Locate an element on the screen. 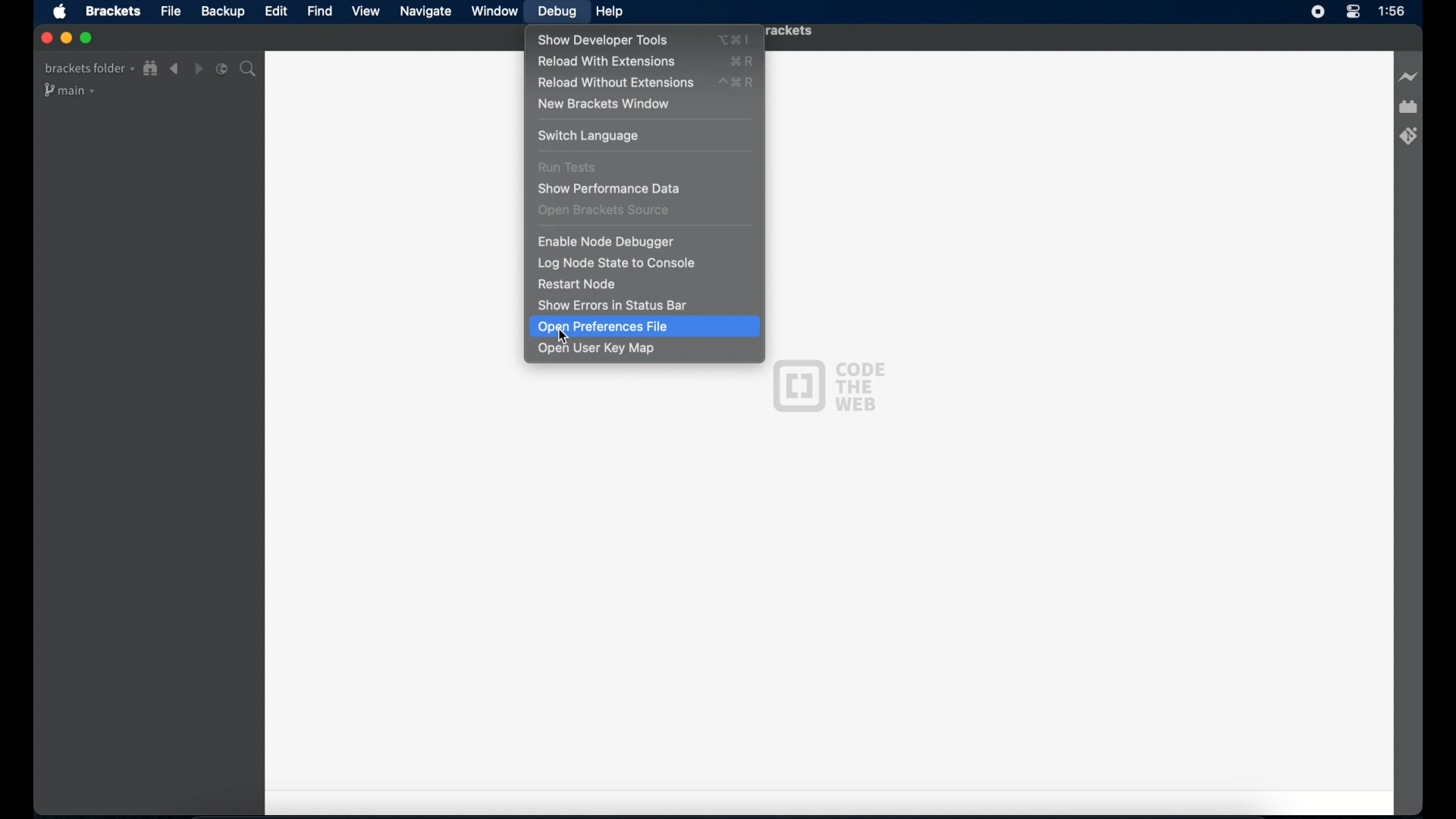 The width and height of the screenshot is (1456, 819). apple icon is located at coordinates (59, 12).